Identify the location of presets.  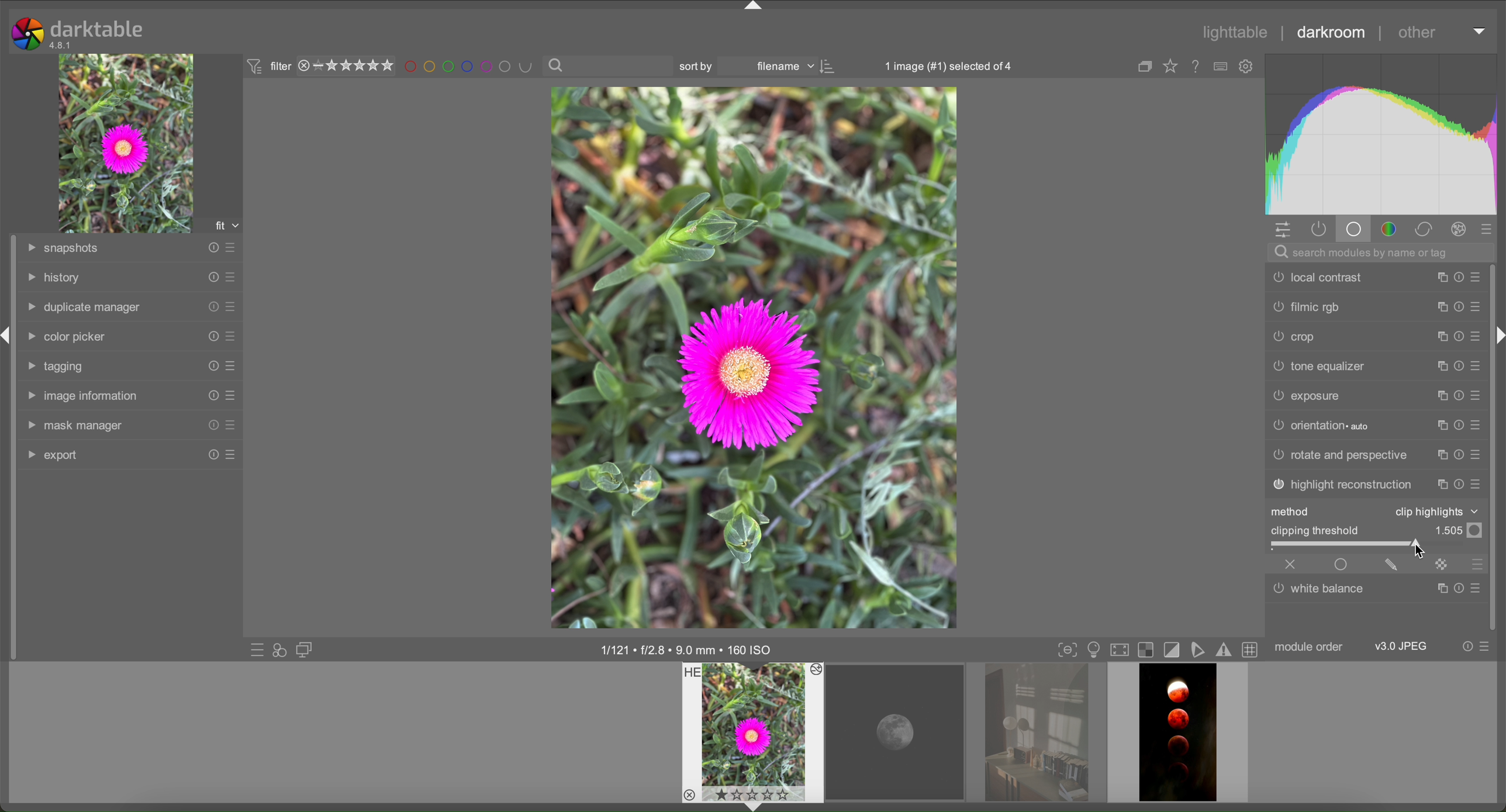
(231, 307).